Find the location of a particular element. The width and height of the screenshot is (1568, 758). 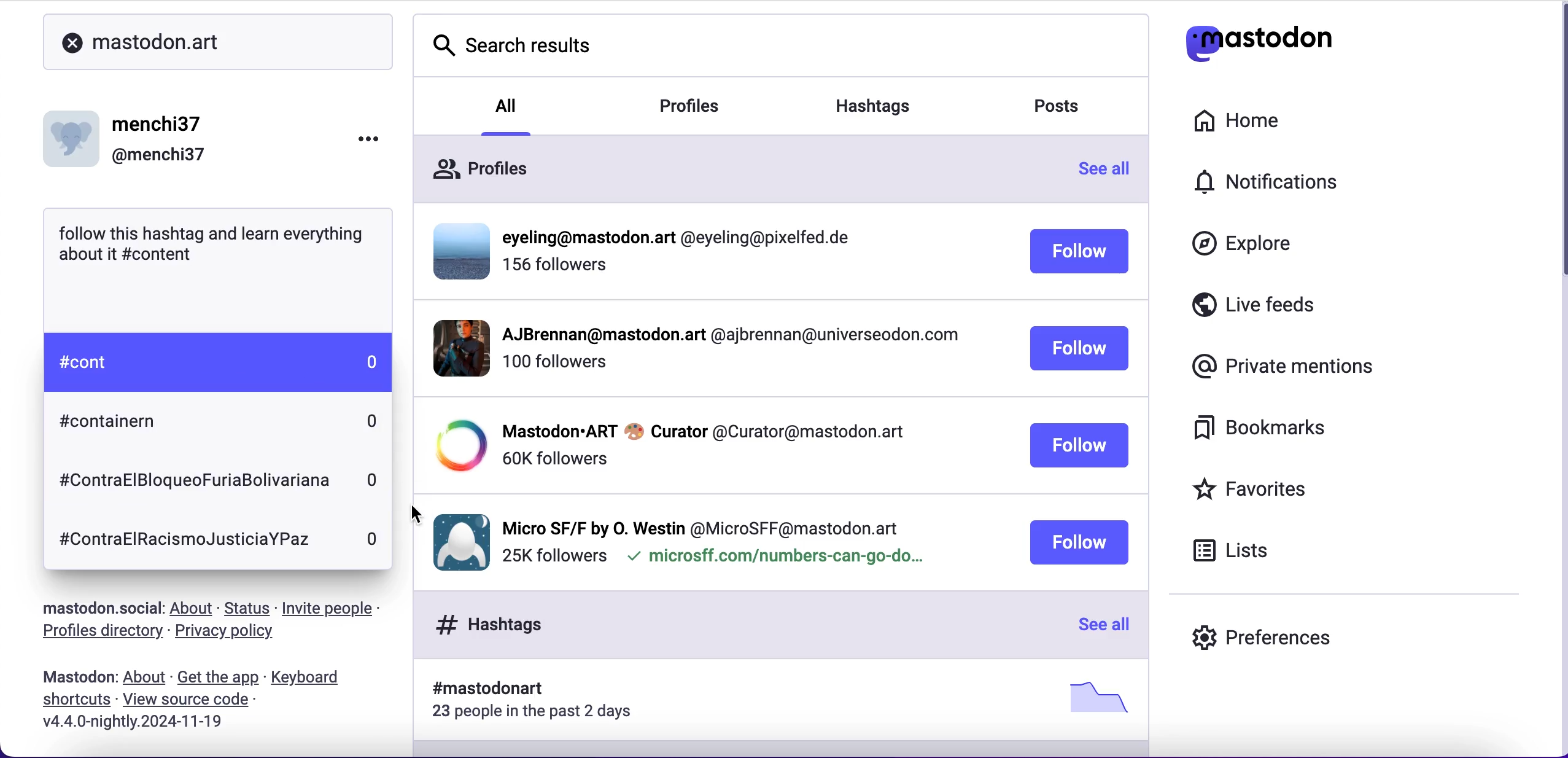

profile is located at coordinates (728, 338).